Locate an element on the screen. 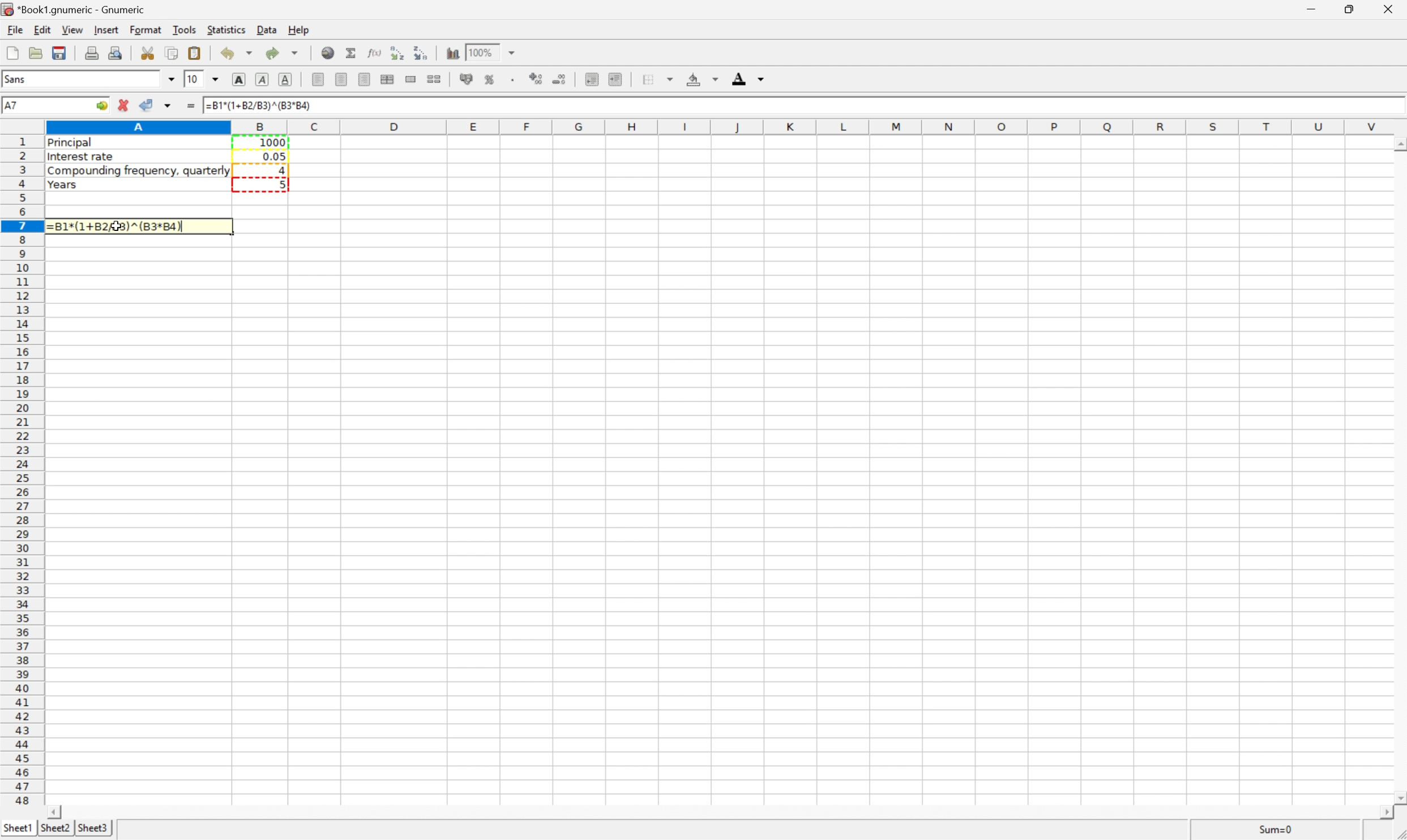 This screenshot has width=1407, height=840. increase indent is located at coordinates (617, 79).